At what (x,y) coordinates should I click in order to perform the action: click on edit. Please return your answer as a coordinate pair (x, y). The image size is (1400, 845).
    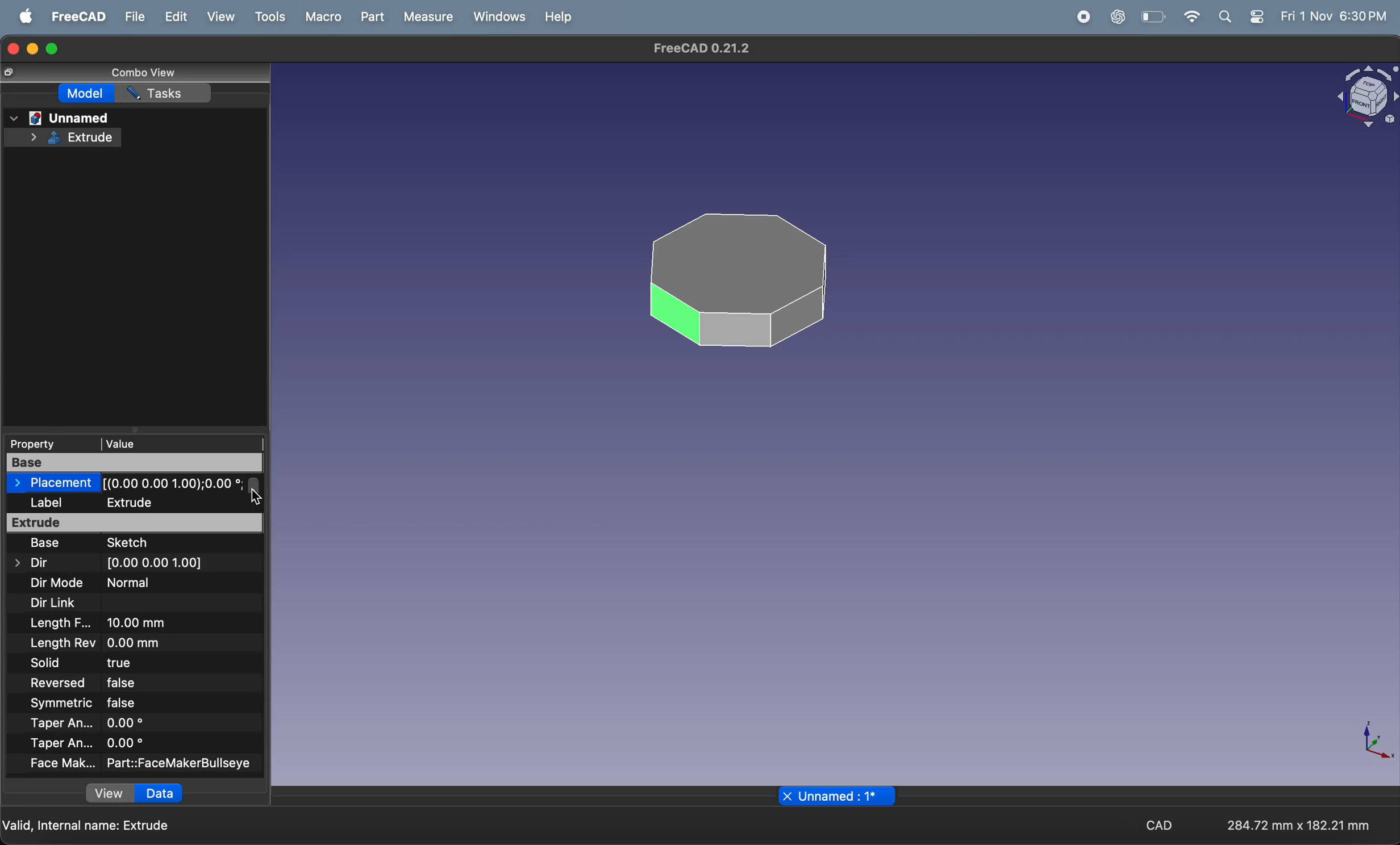
    Looking at the image, I should click on (173, 16).